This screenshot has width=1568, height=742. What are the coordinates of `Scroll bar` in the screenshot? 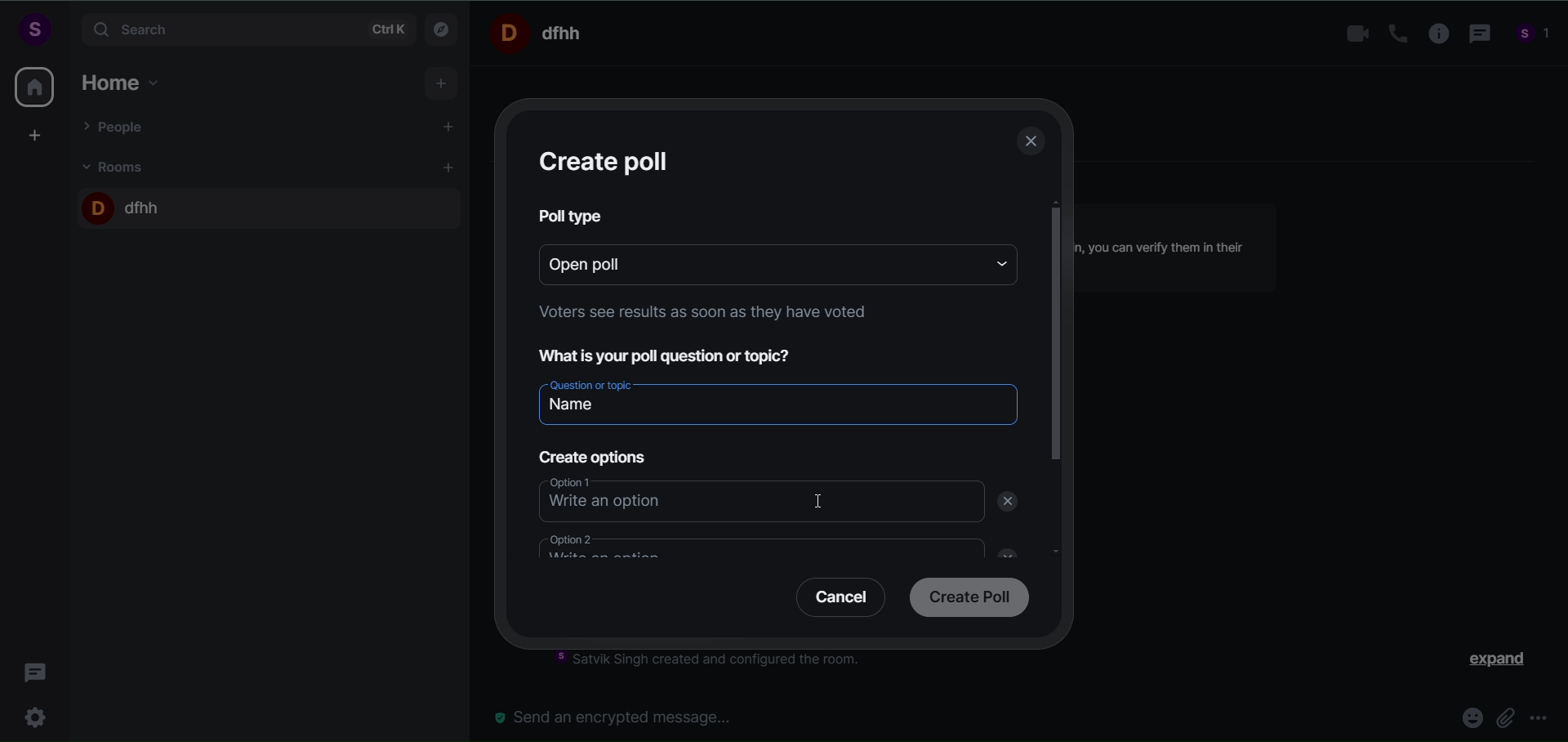 It's located at (1057, 413).